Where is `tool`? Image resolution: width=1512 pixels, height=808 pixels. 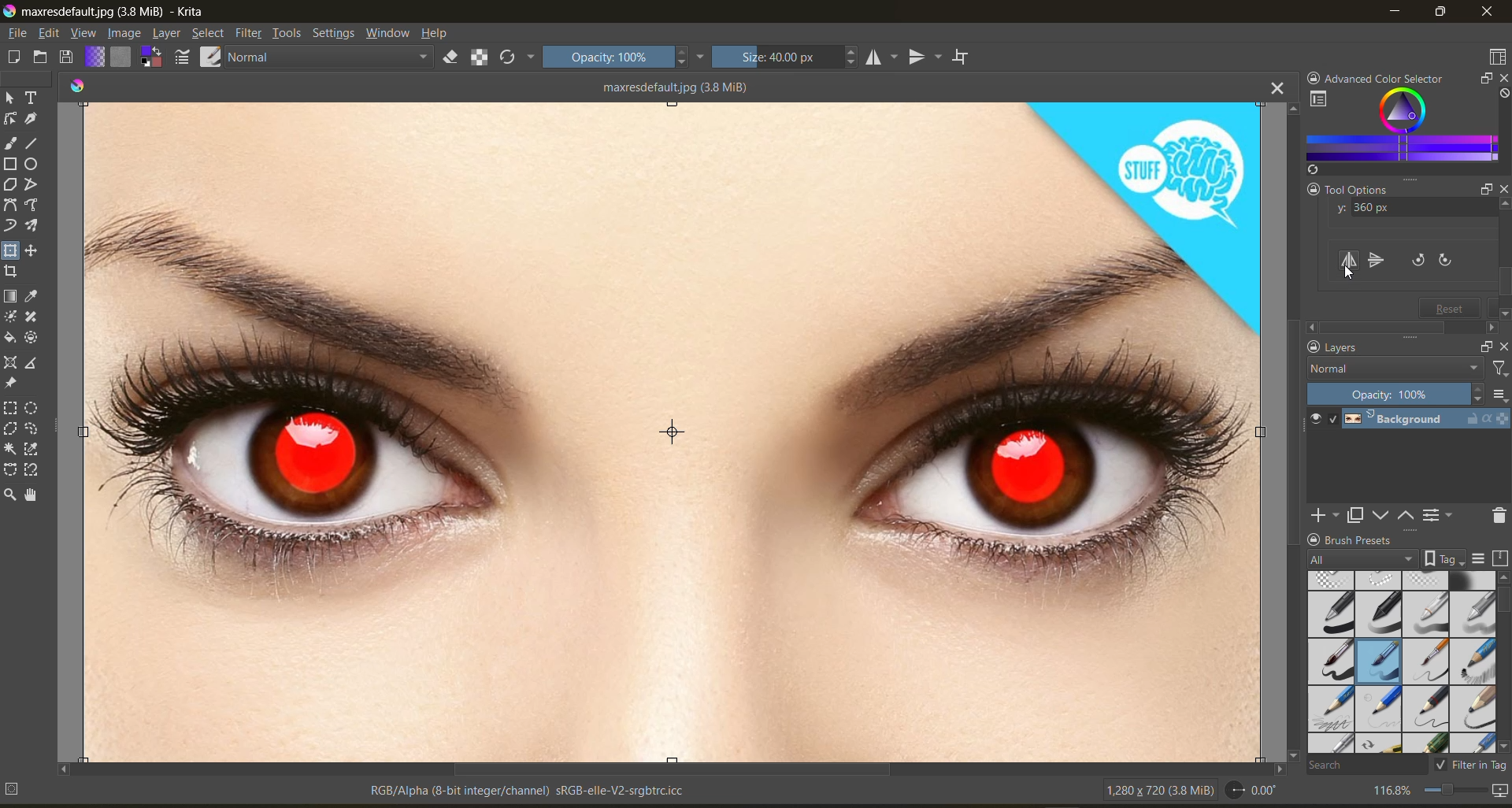
tool is located at coordinates (32, 365).